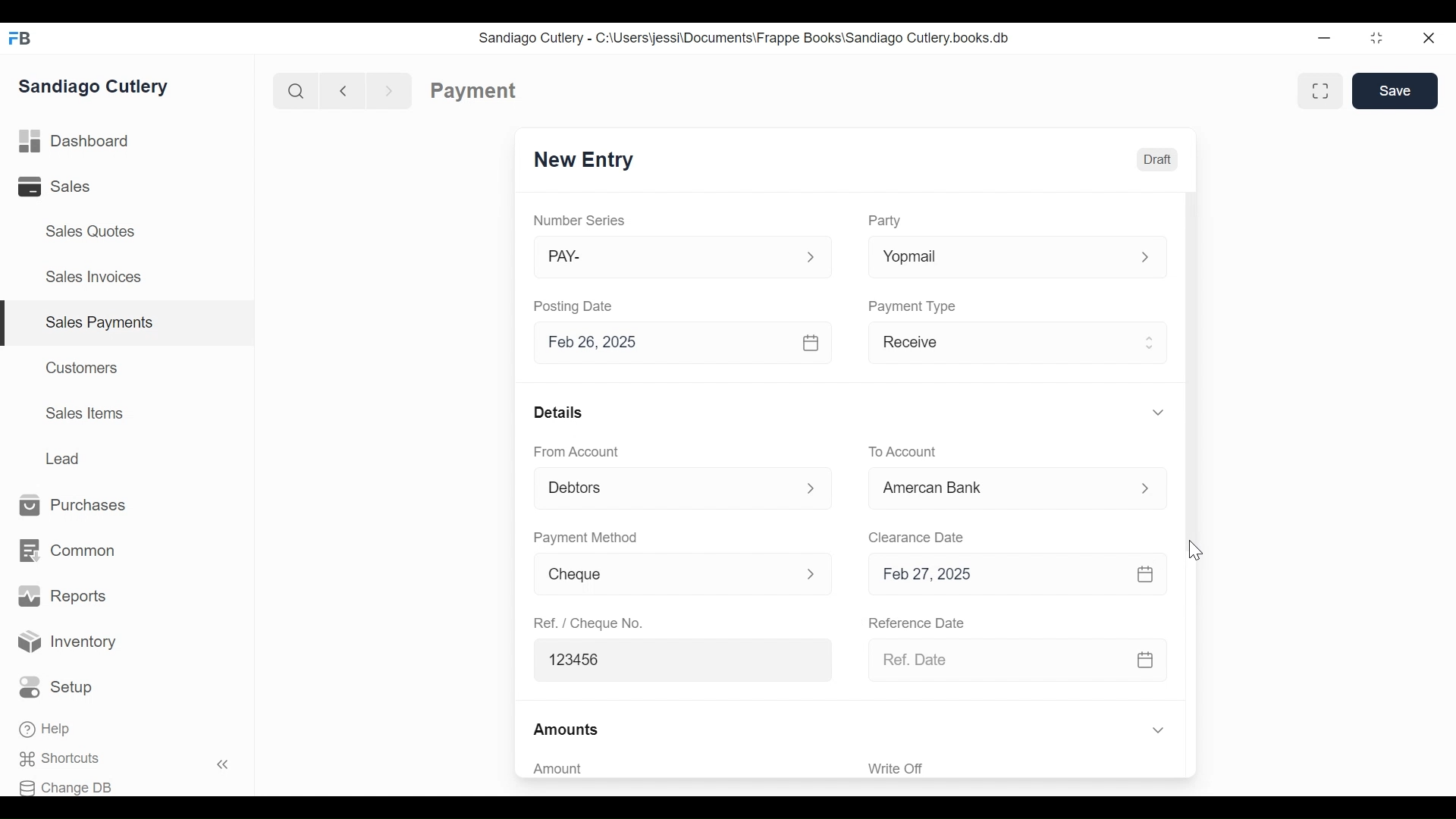 The height and width of the screenshot is (819, 1456). I want to click on Sandiago Cutlery, so click(96, 86).